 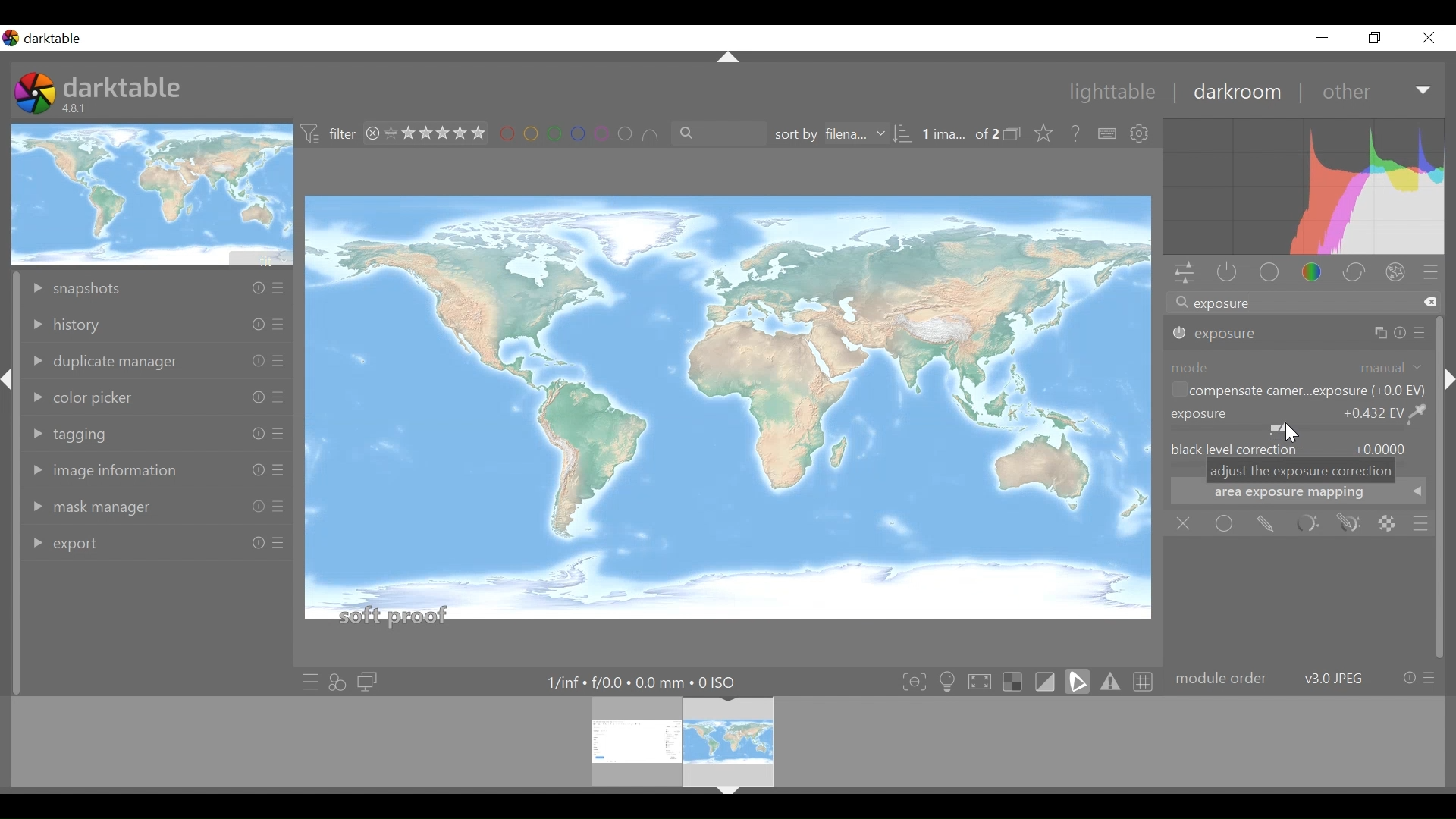 What do you see at coordinates (88, 396) in the screenshot?
I see `color picker` at bounding box center [88, 396].